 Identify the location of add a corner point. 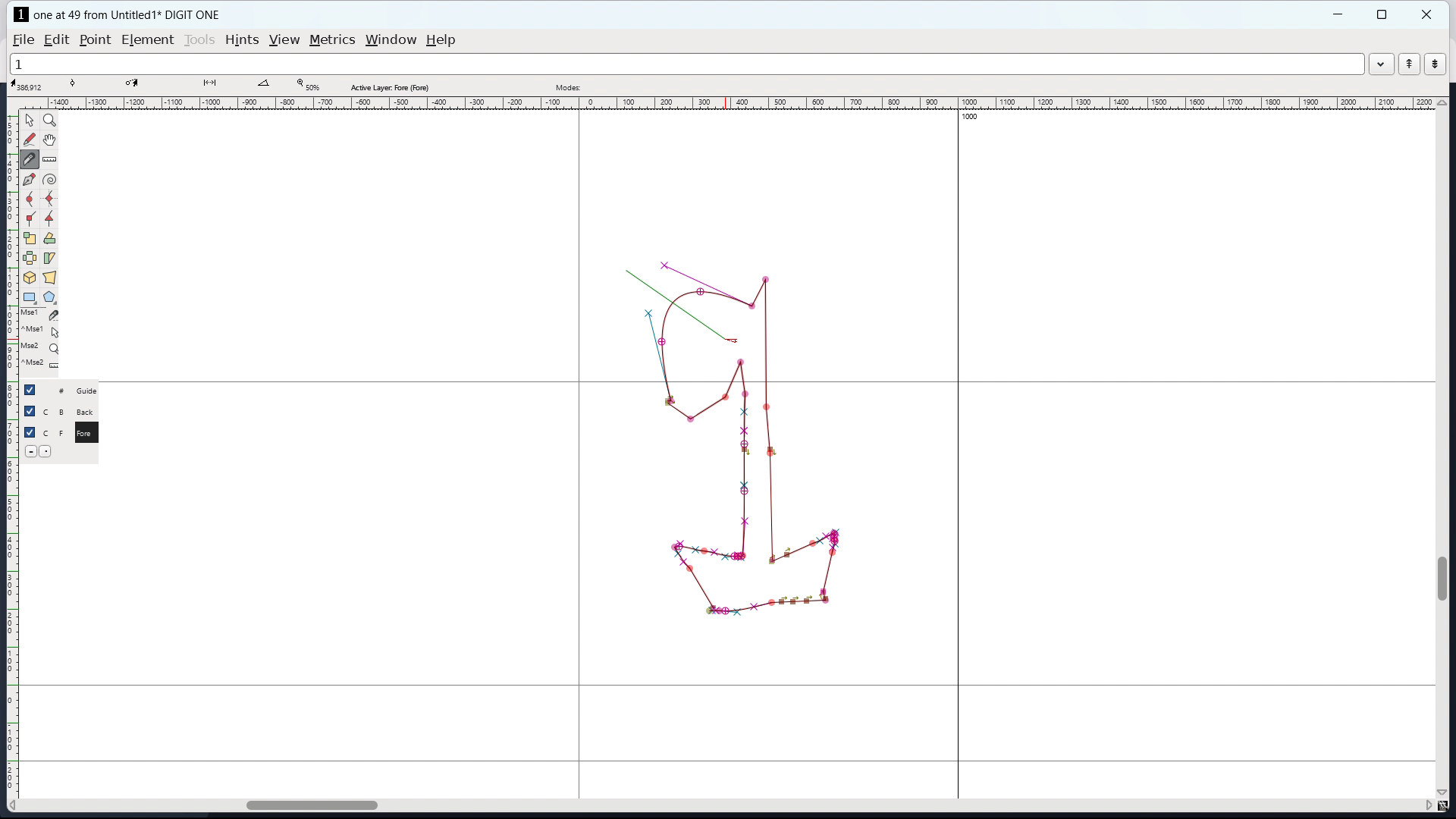
(30, 218).